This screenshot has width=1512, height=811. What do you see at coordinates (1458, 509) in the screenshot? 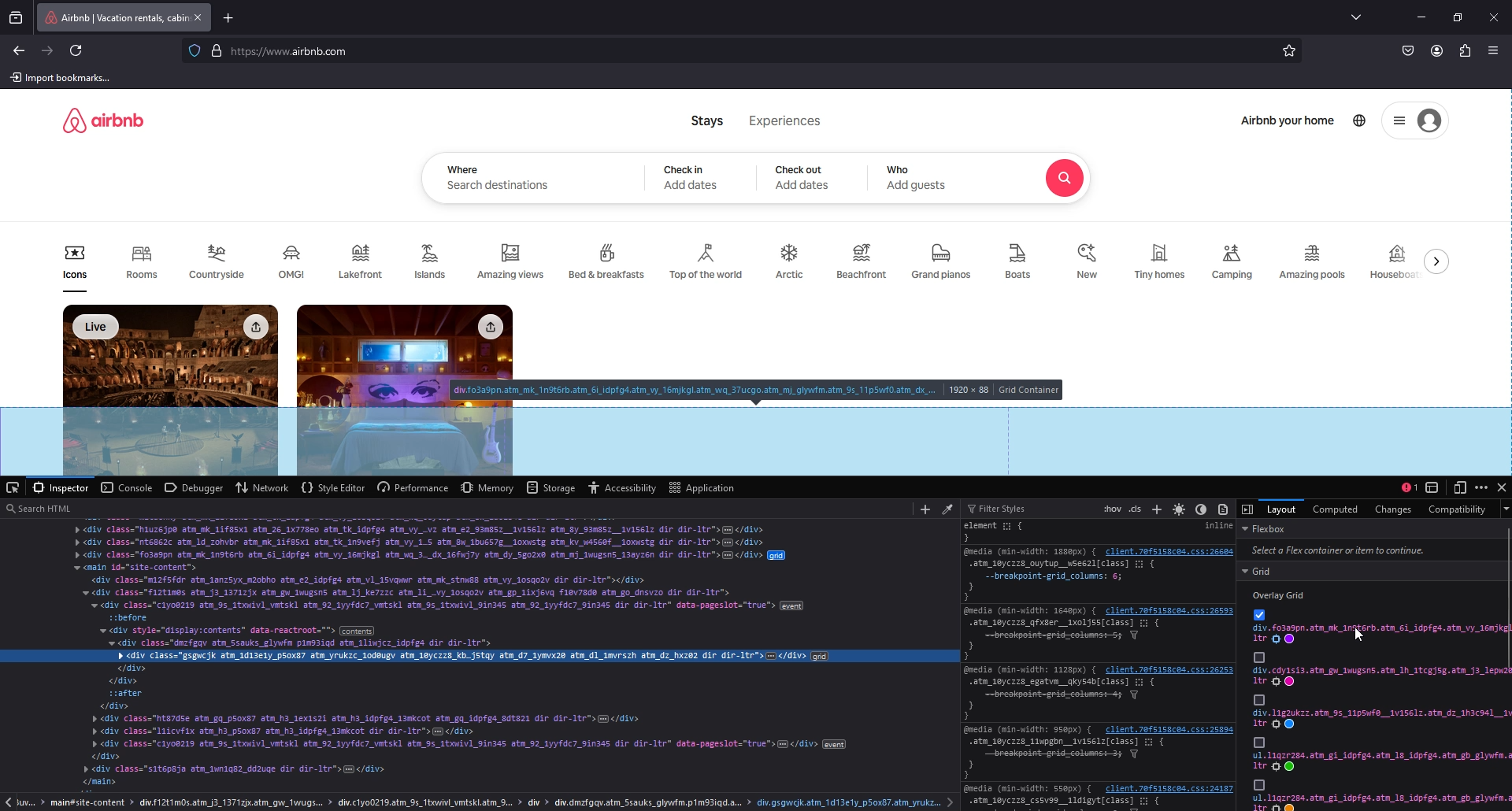
I see `compatibility` at bounding box center [1458, 509].